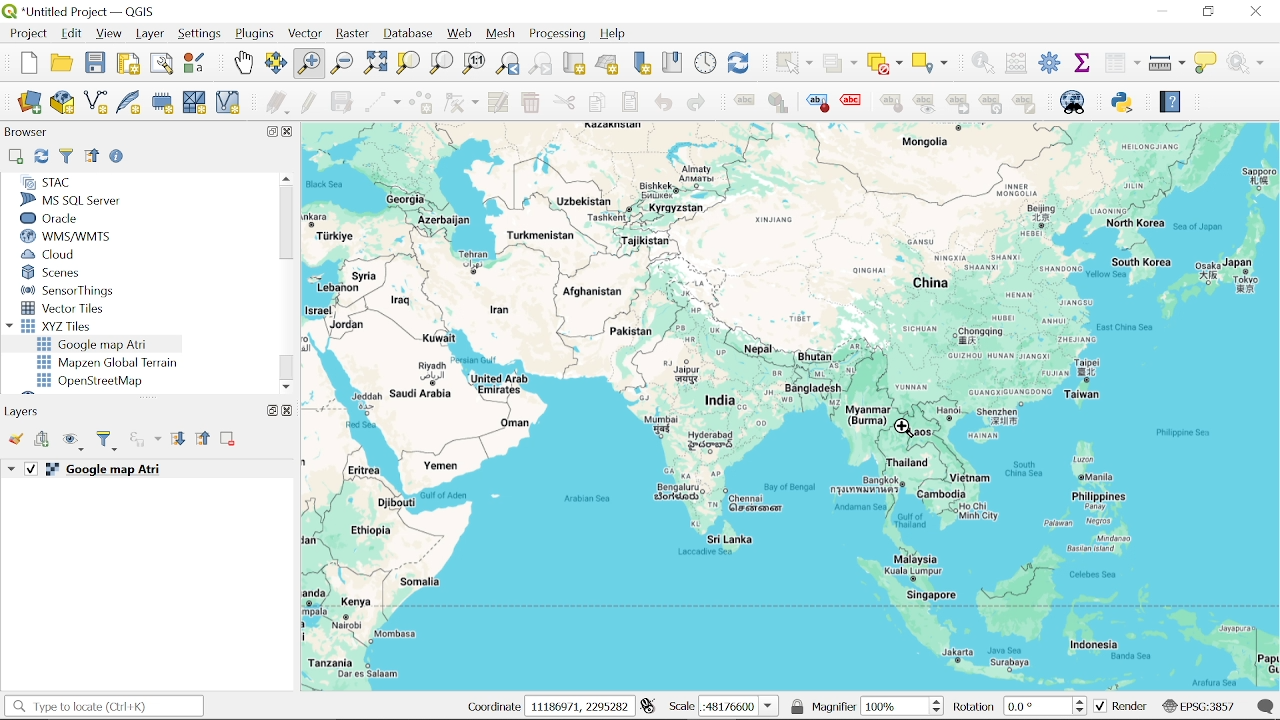 The image size is (1280, 720). What do you see at coordinates (420, 104) in the screenshot?
I see `Add feature` at bounding box center [420, 104].